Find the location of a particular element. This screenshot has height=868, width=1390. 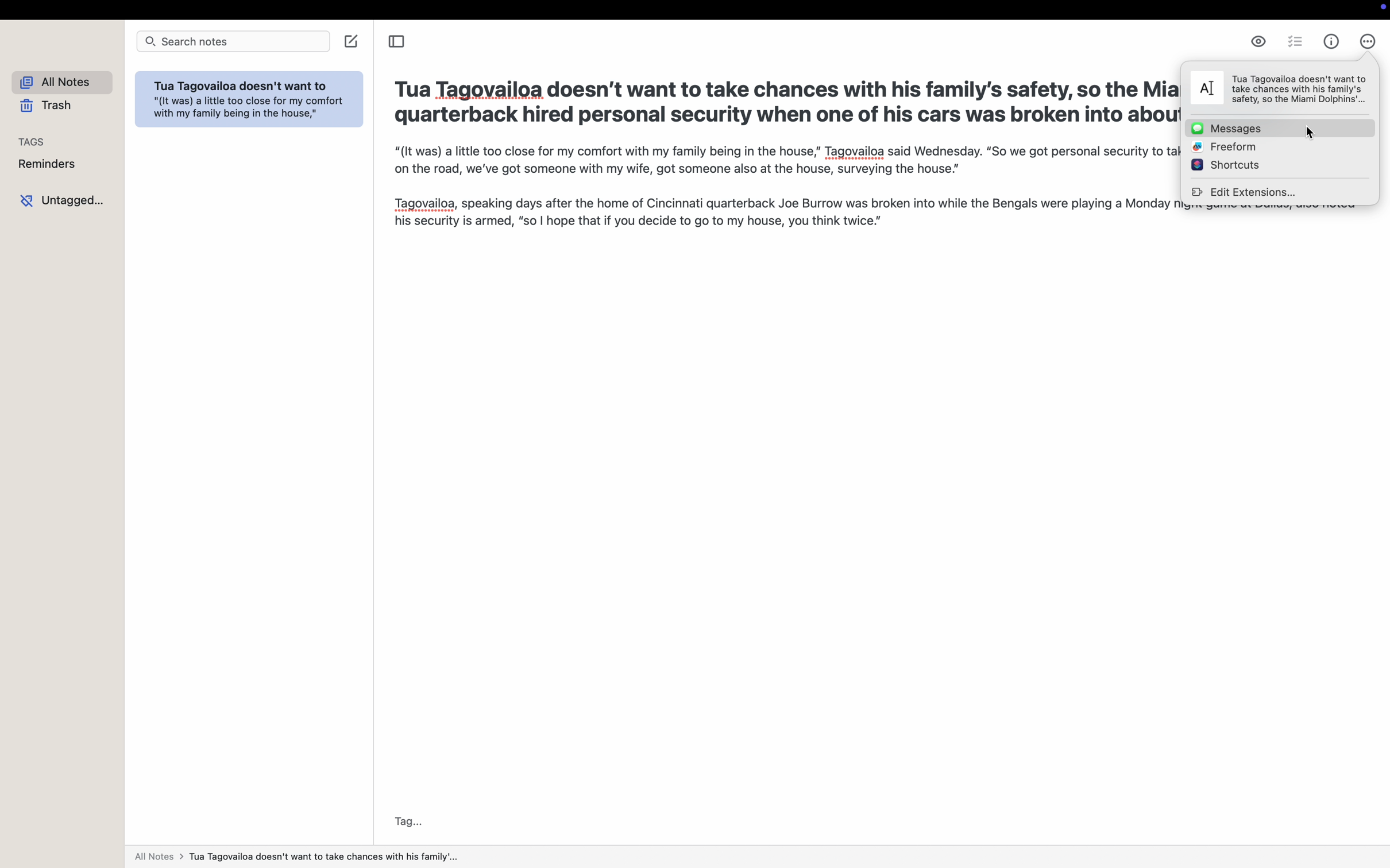

toggle sidebar is located at coordinates (395, 40).